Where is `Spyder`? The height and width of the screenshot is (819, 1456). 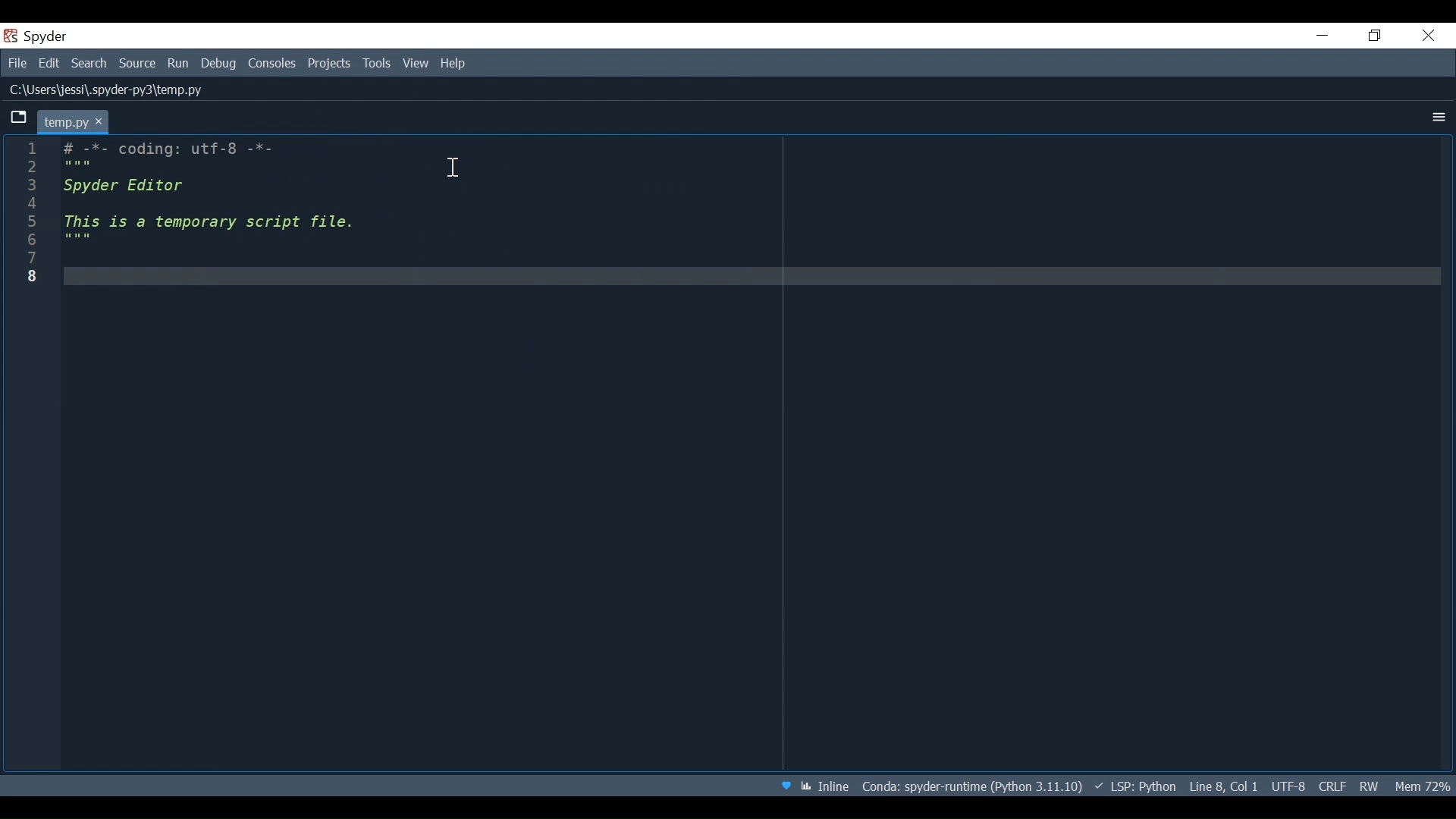
Spyder is located at coordinates (37, 36).